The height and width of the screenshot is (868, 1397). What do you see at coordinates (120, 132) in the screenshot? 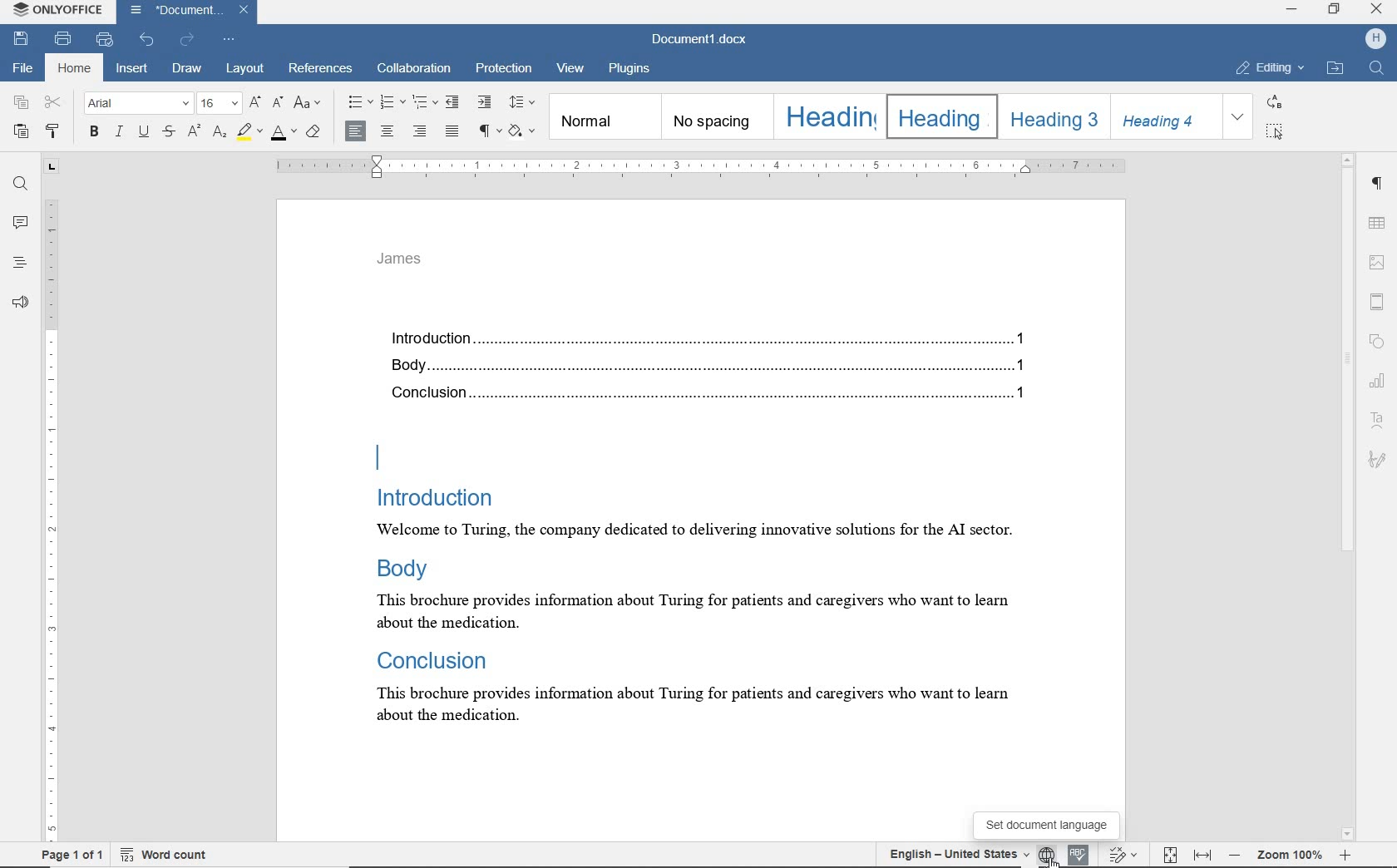
I see `italic` at bounding box center [120, 132].